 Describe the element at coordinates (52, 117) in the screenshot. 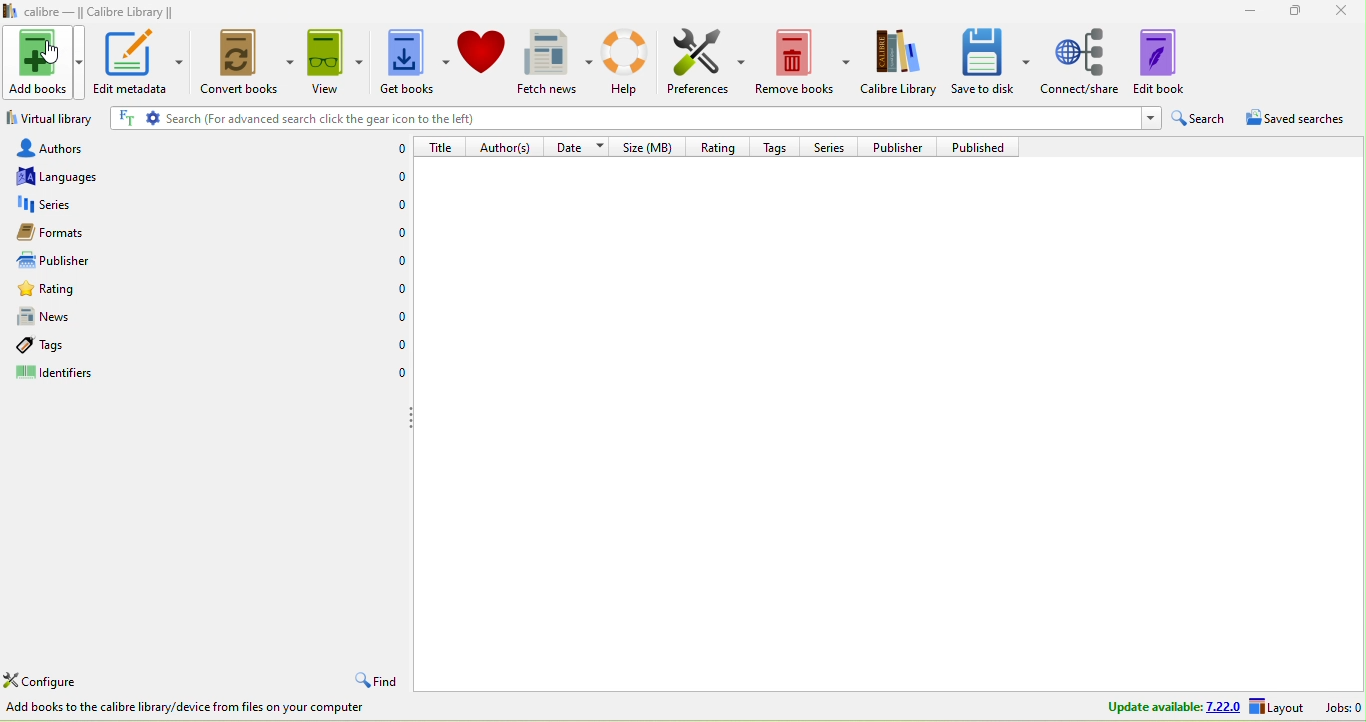

I see `virtual library` at that location.